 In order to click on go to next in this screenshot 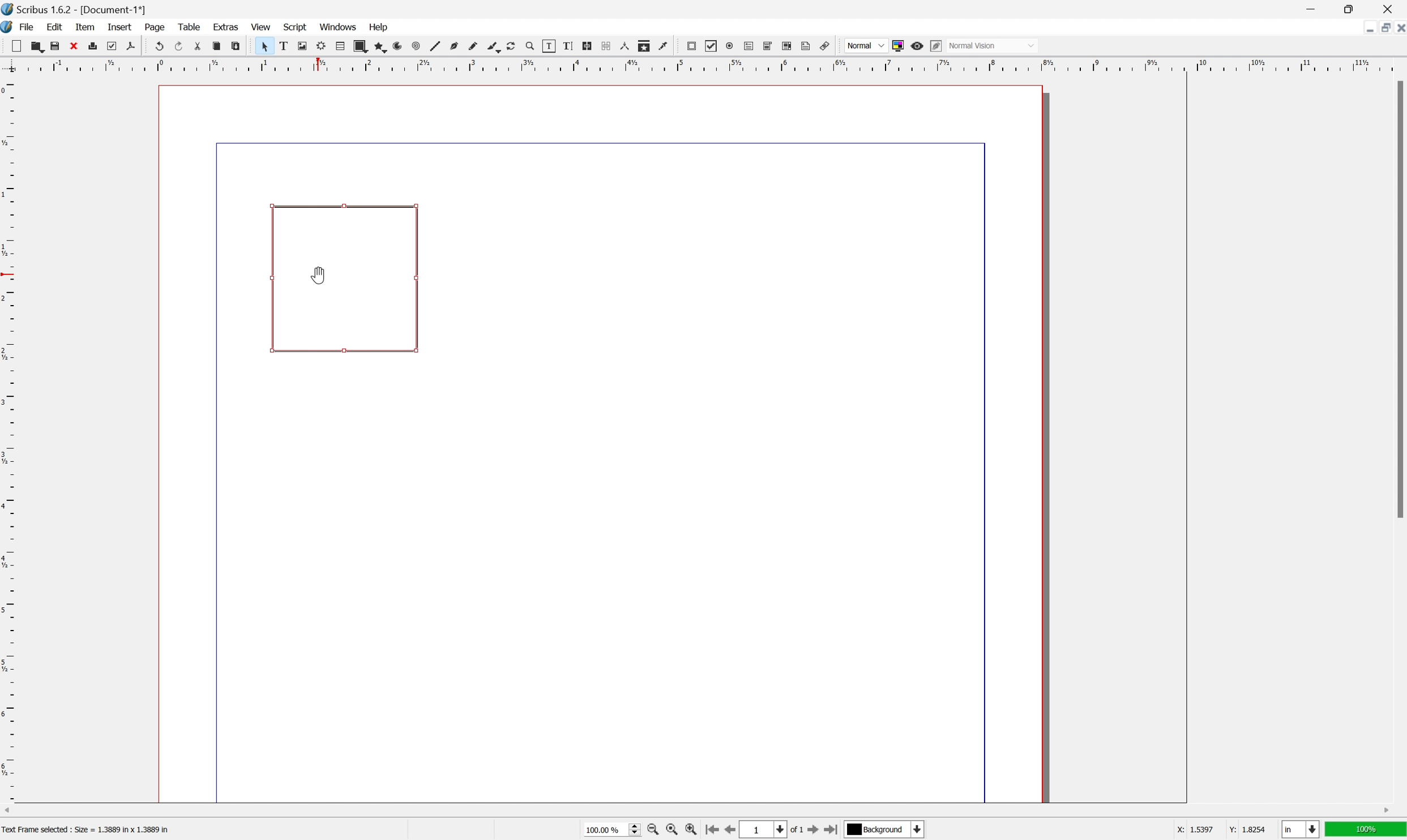, I will do `click(819, 832)`.